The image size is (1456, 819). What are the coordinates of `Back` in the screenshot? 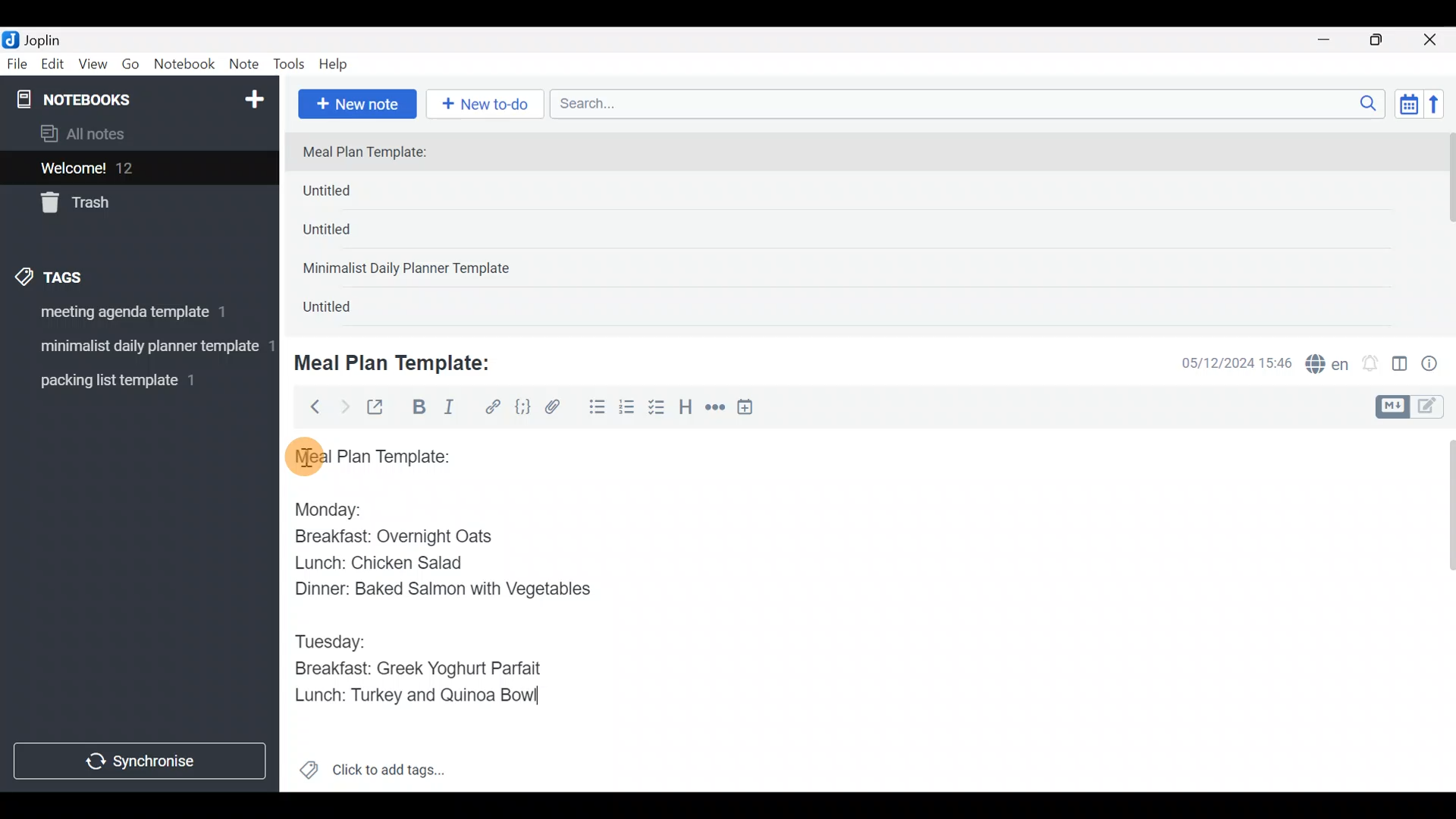 It's located at (309, 406).